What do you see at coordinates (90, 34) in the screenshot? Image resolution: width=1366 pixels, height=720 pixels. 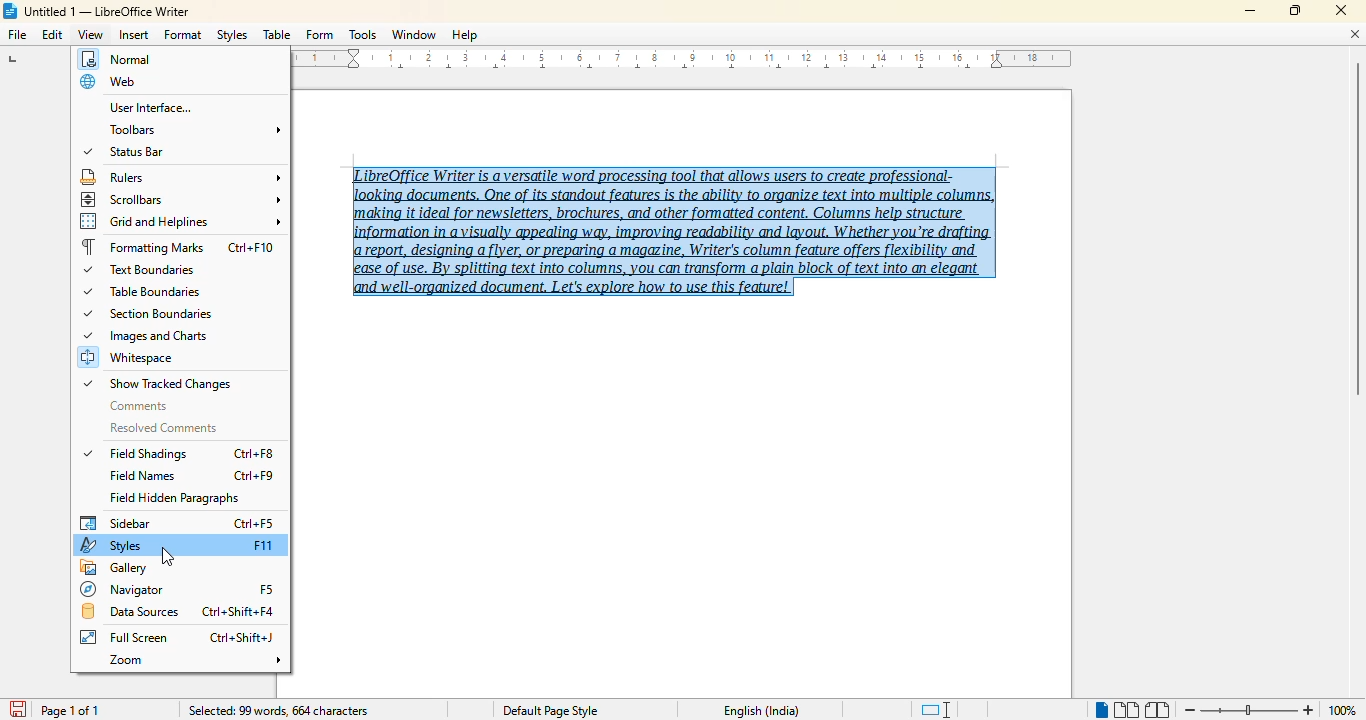 I see `view` at bounding box center [90, 34].